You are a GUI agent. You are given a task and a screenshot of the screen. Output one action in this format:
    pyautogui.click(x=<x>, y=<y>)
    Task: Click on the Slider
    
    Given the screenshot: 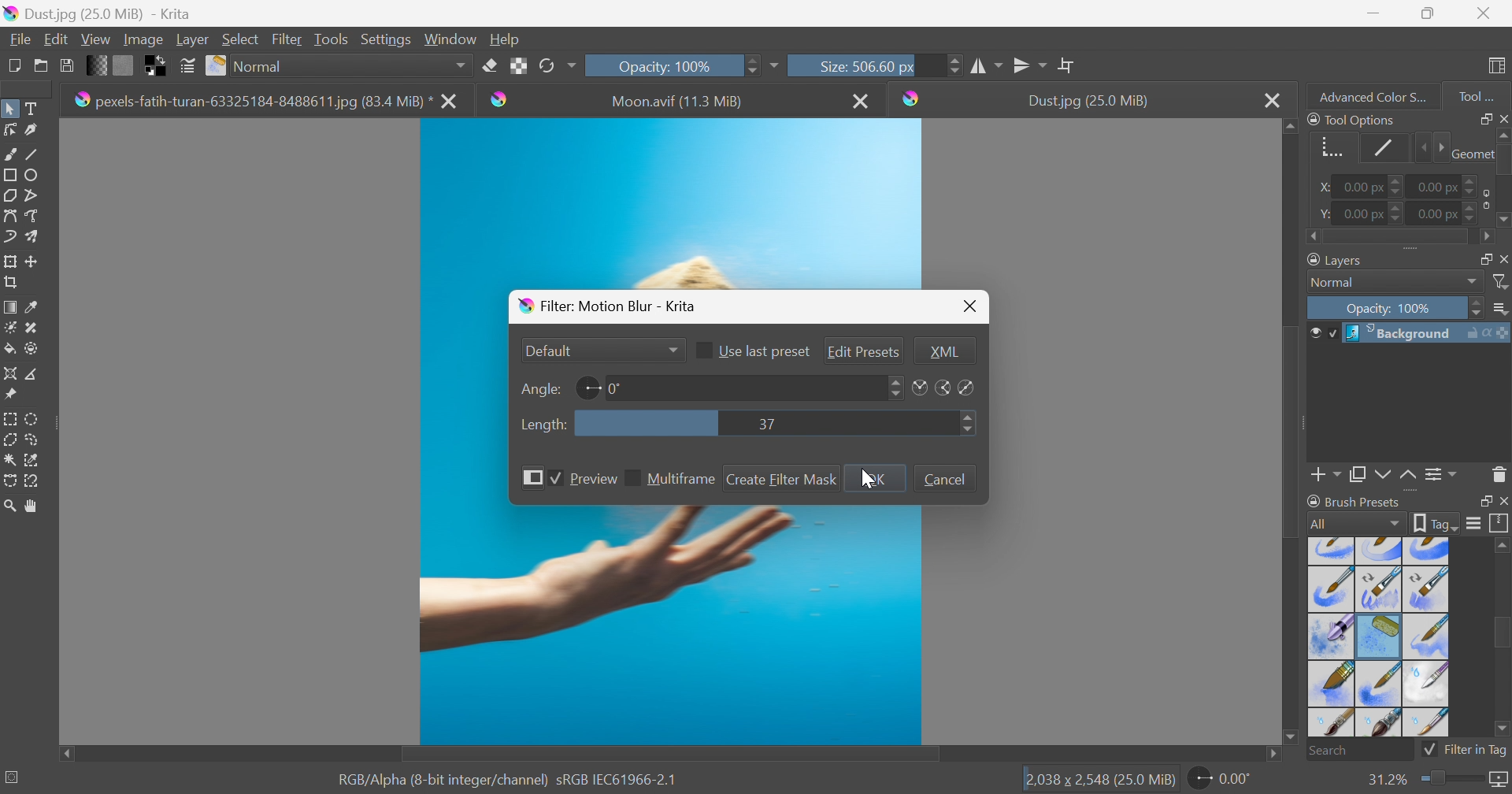 What is the action you would take?
    pyautogui.click(x=1449, y=779)
    